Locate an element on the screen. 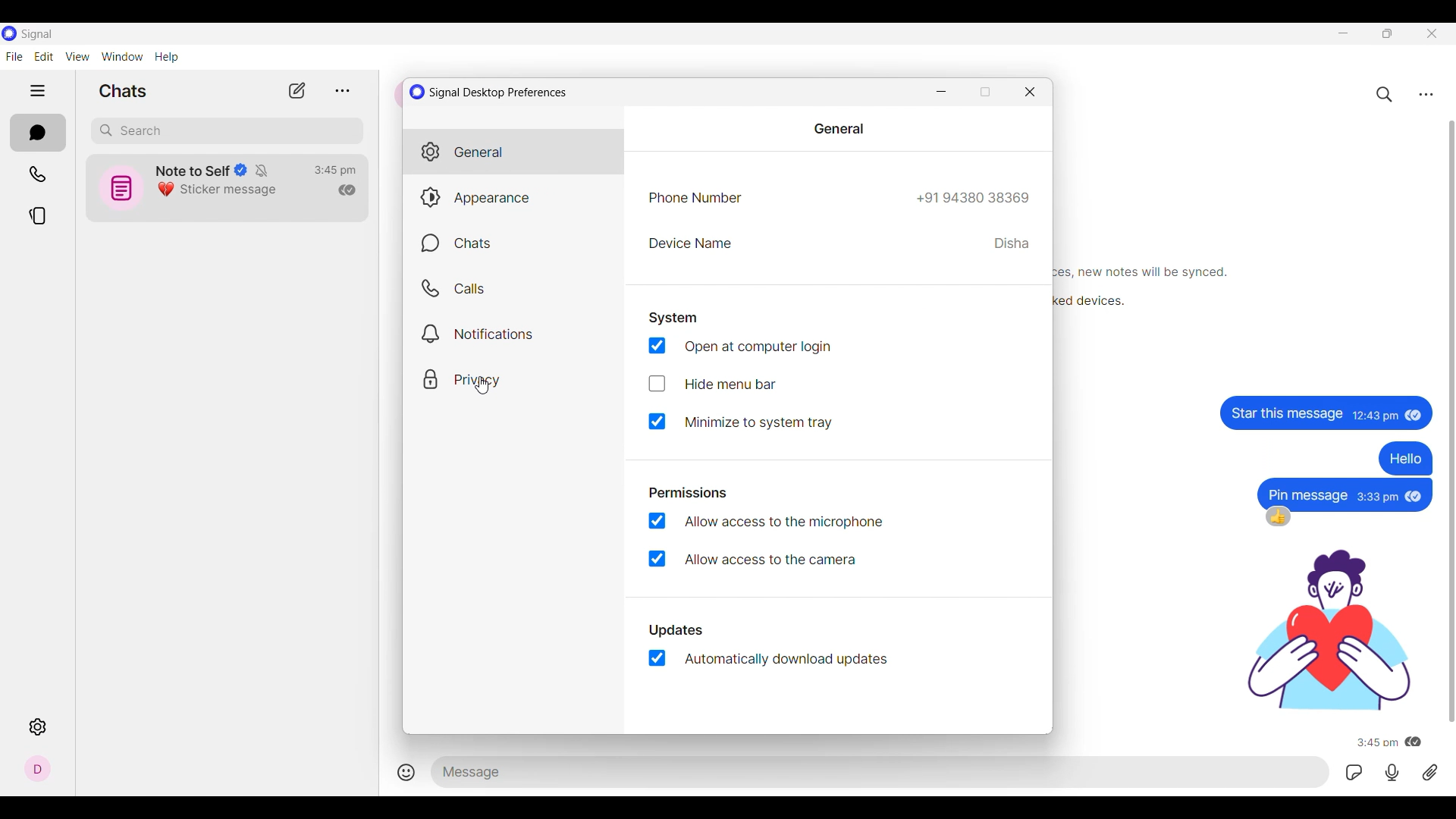  GIFs is located at coordinates (1354, 772).